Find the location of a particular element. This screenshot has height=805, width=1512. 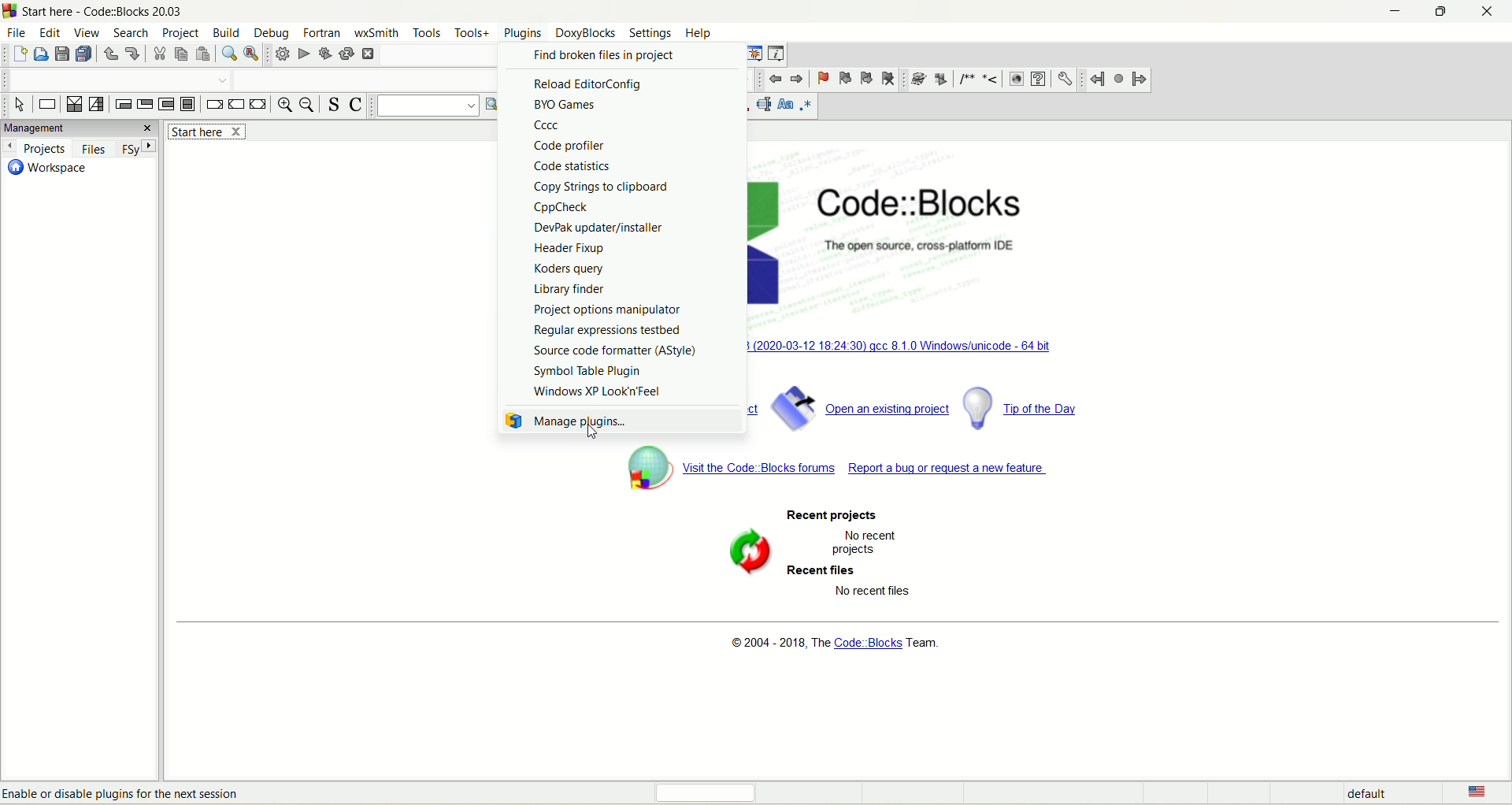

previous is located at coordinates (776, 80).